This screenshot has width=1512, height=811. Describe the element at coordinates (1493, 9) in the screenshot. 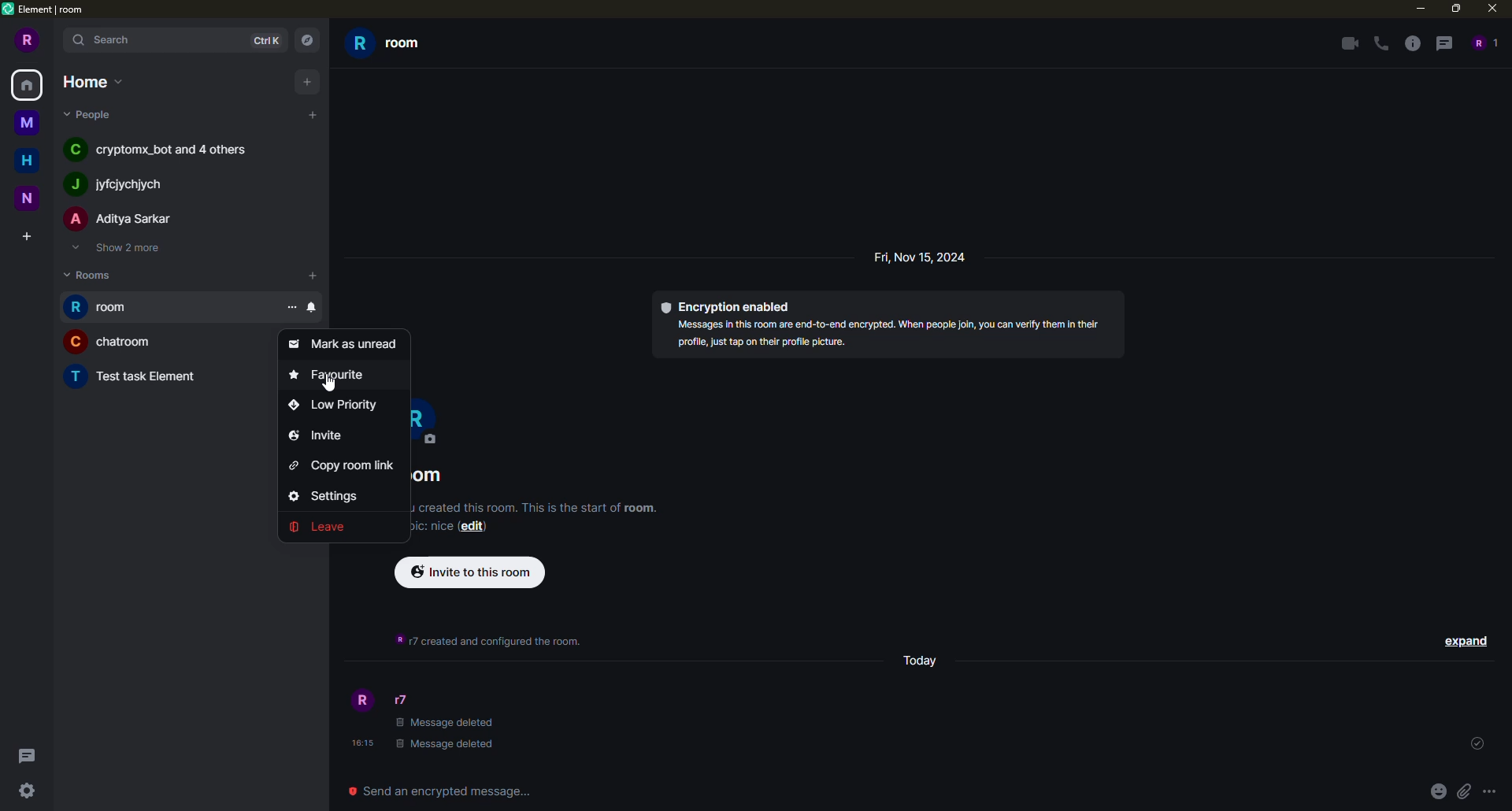

I see `close` at that location.